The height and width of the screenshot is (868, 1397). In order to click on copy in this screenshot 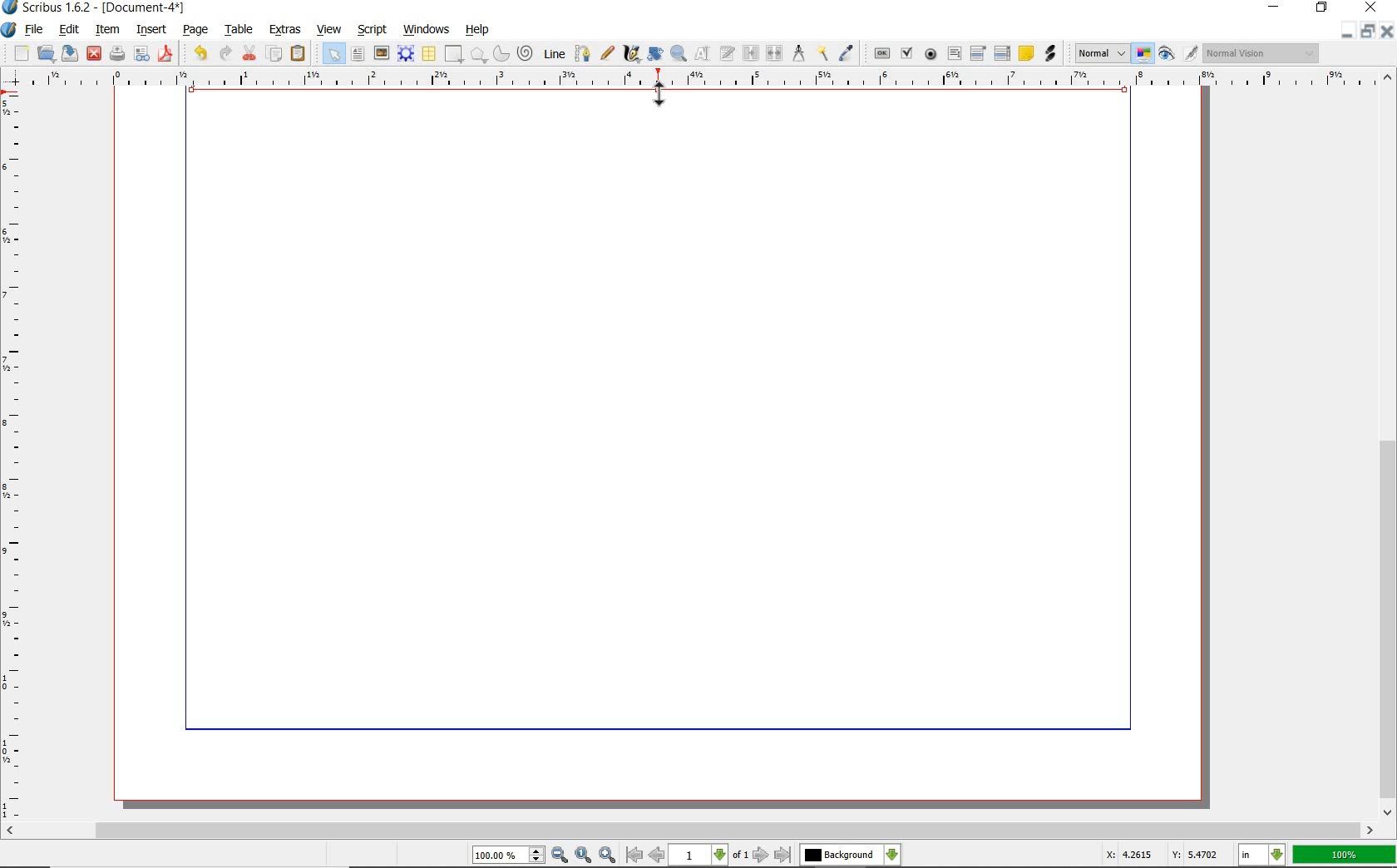, I will do `click(275, 54)`.